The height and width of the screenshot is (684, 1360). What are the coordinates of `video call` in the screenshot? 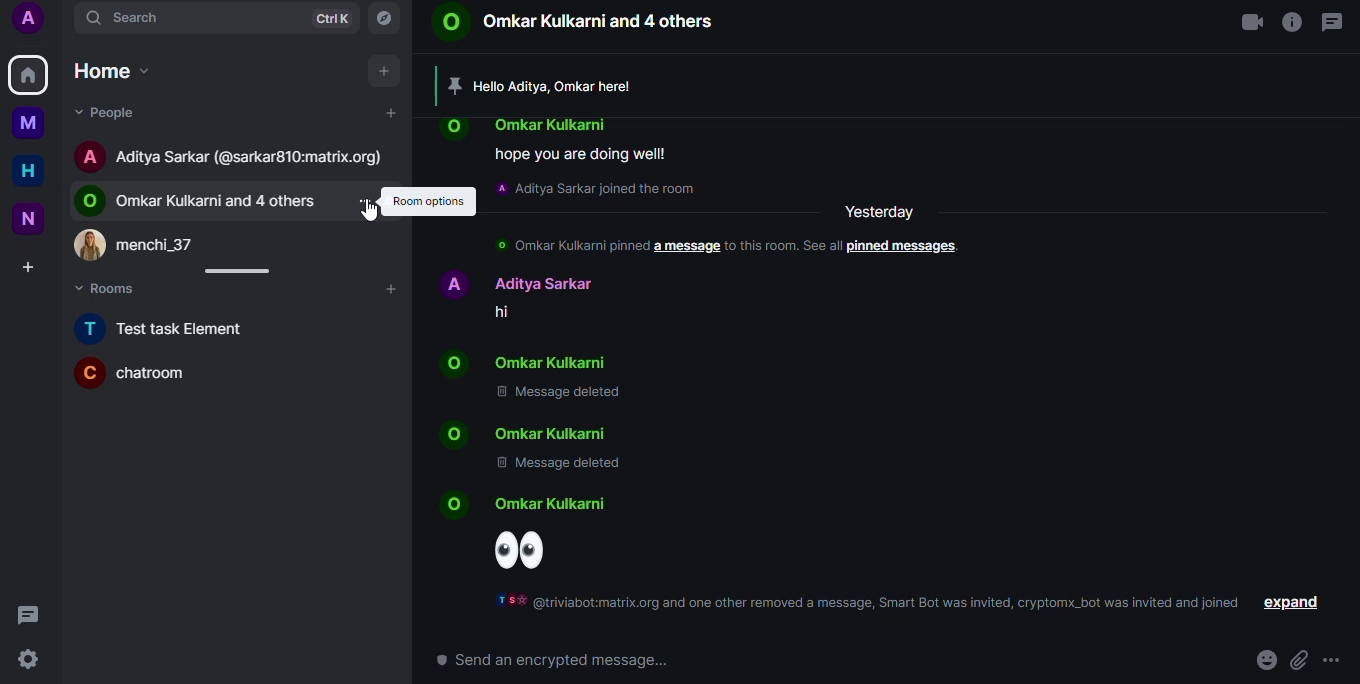 It's located at (1250, 24).